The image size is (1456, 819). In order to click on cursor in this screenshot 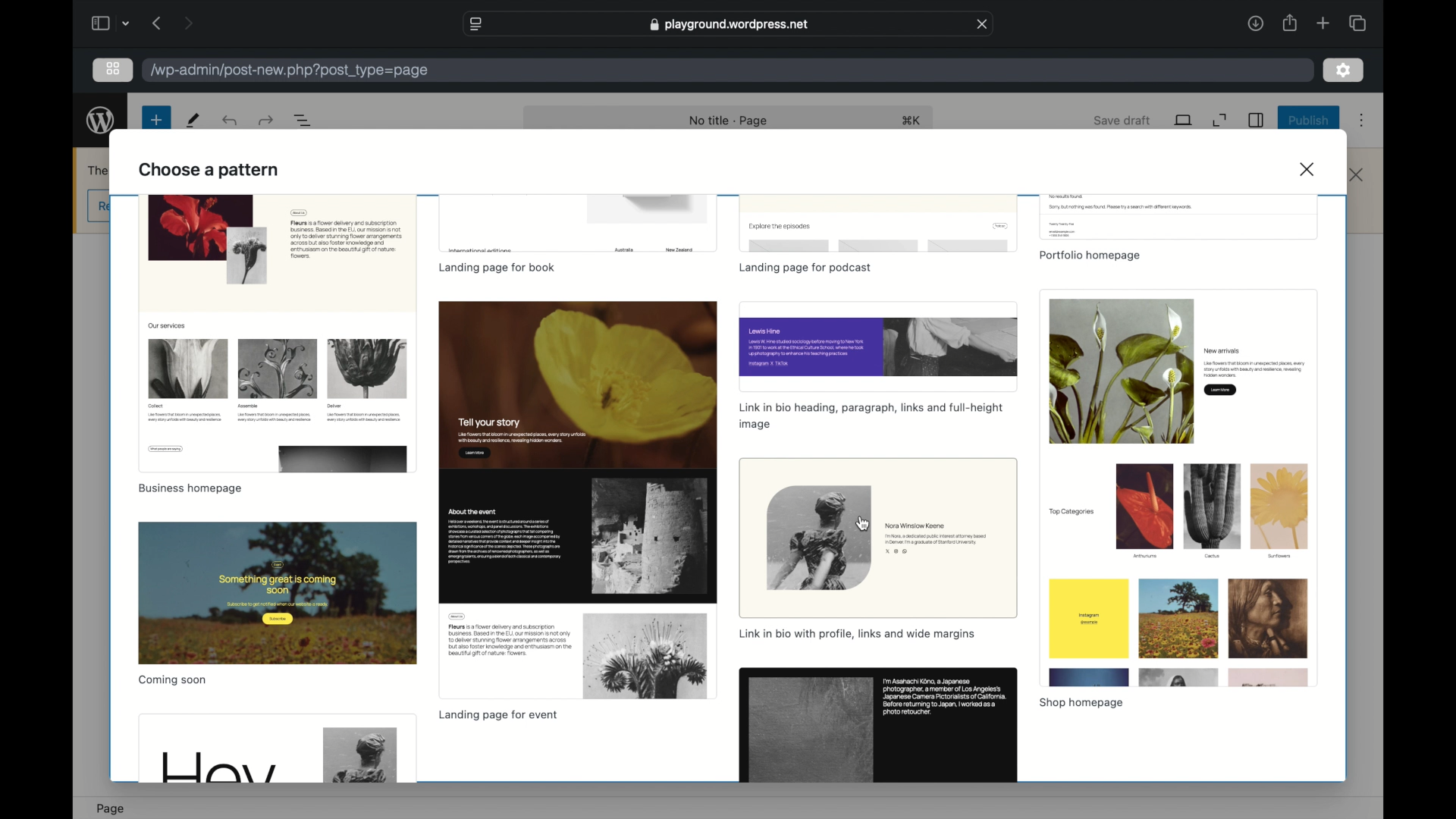, I will do `click(864, 525)`.